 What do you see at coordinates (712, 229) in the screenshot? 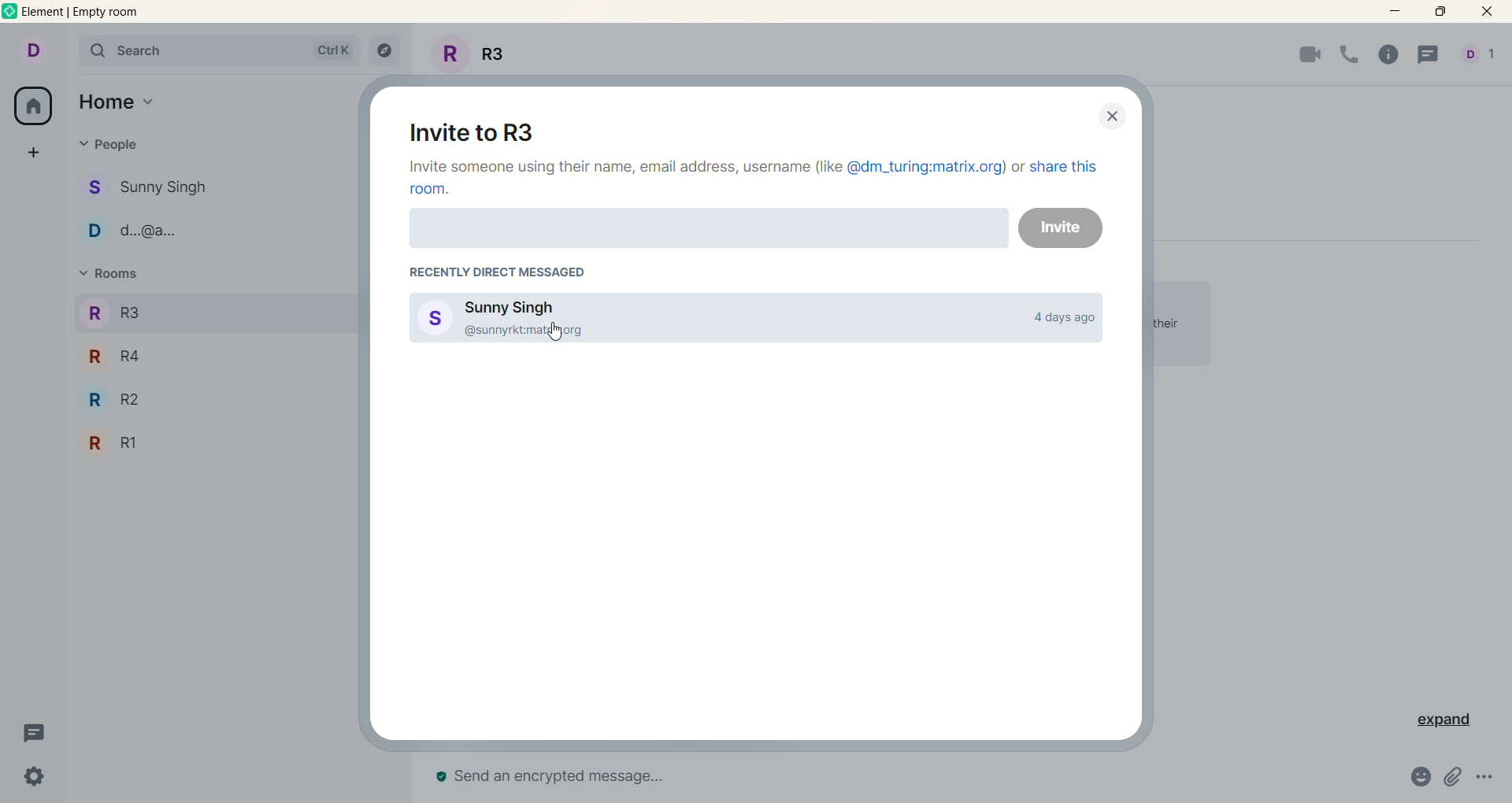
I see `invite with name , email or username` at bounding box center [712, 229].